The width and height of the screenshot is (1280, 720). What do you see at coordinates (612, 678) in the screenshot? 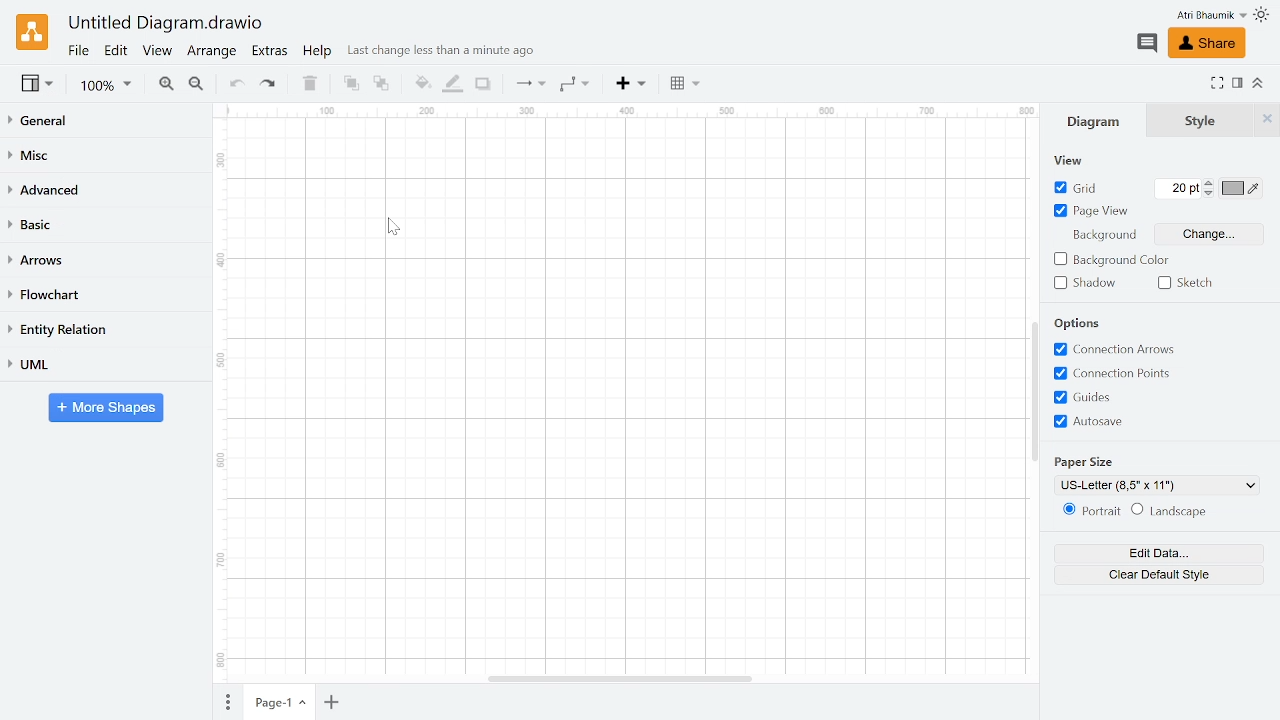
I see `Horizontal scrolbar` at bounding box center [612, 678].